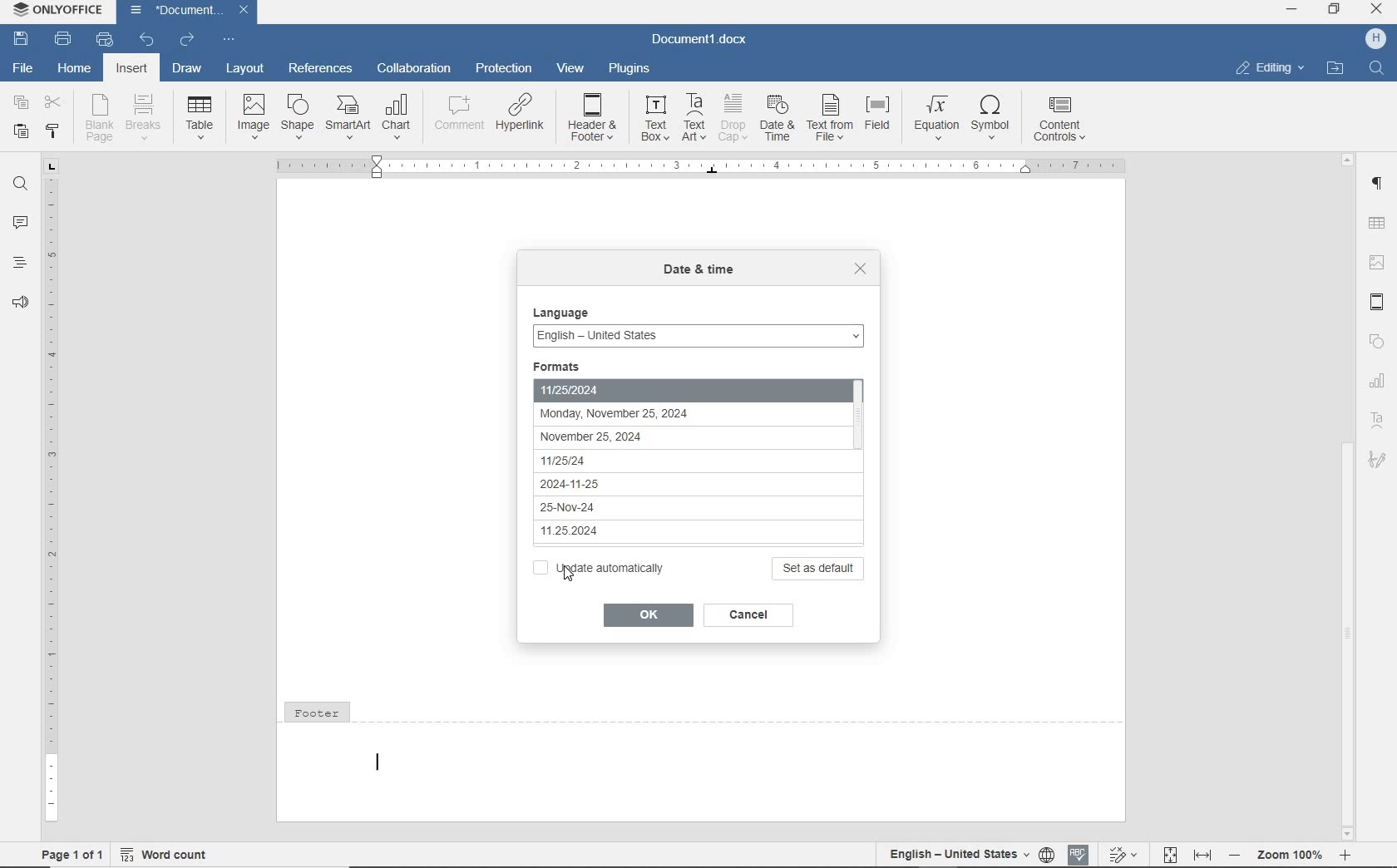 The width and height of the screenshot is (1397, 868). I want to click on undo, so click(147, 42).